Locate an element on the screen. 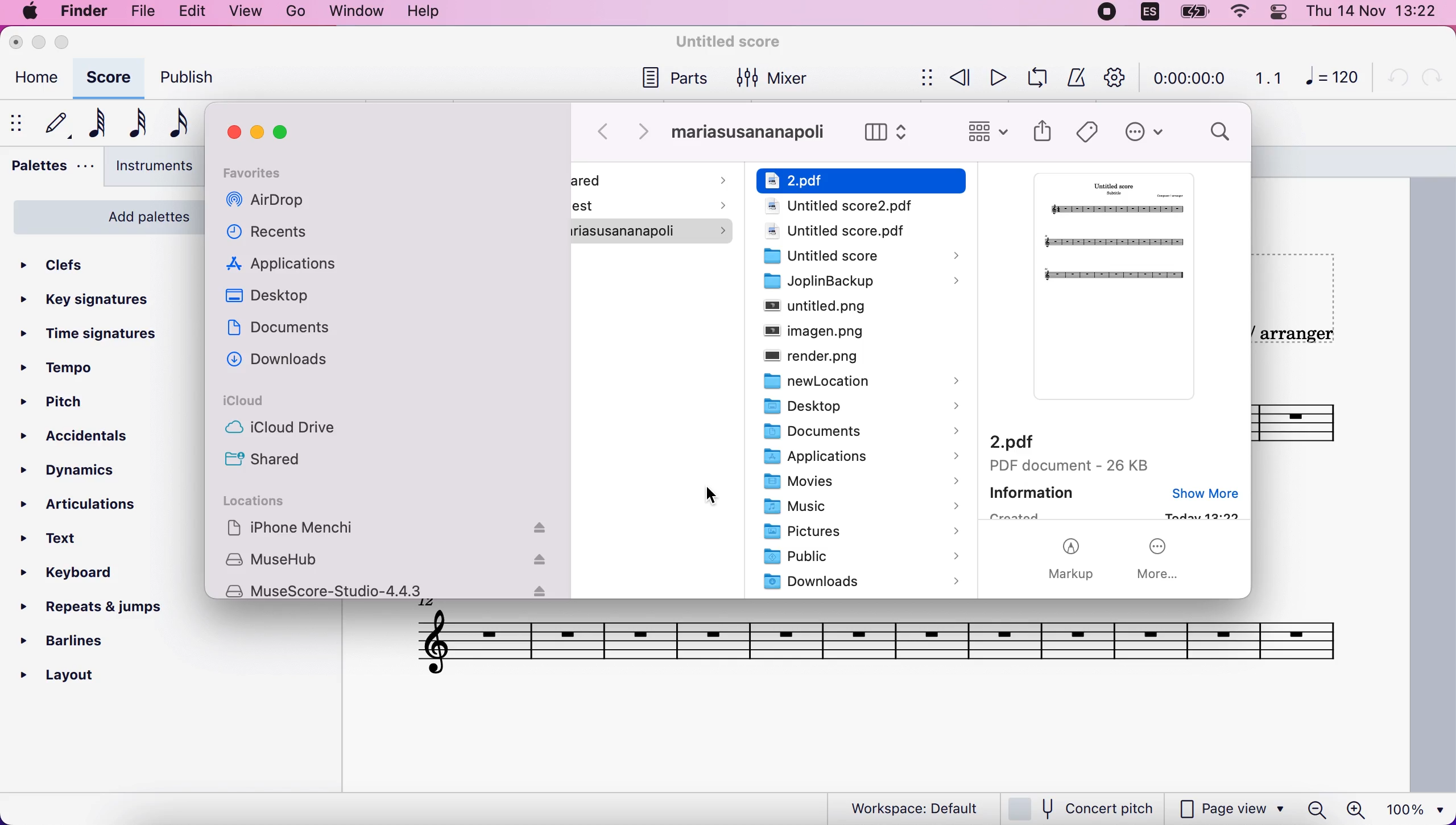 The height and width of the screenshot is (825, 1456). recording stopped is located at coordinates (1103, 14).